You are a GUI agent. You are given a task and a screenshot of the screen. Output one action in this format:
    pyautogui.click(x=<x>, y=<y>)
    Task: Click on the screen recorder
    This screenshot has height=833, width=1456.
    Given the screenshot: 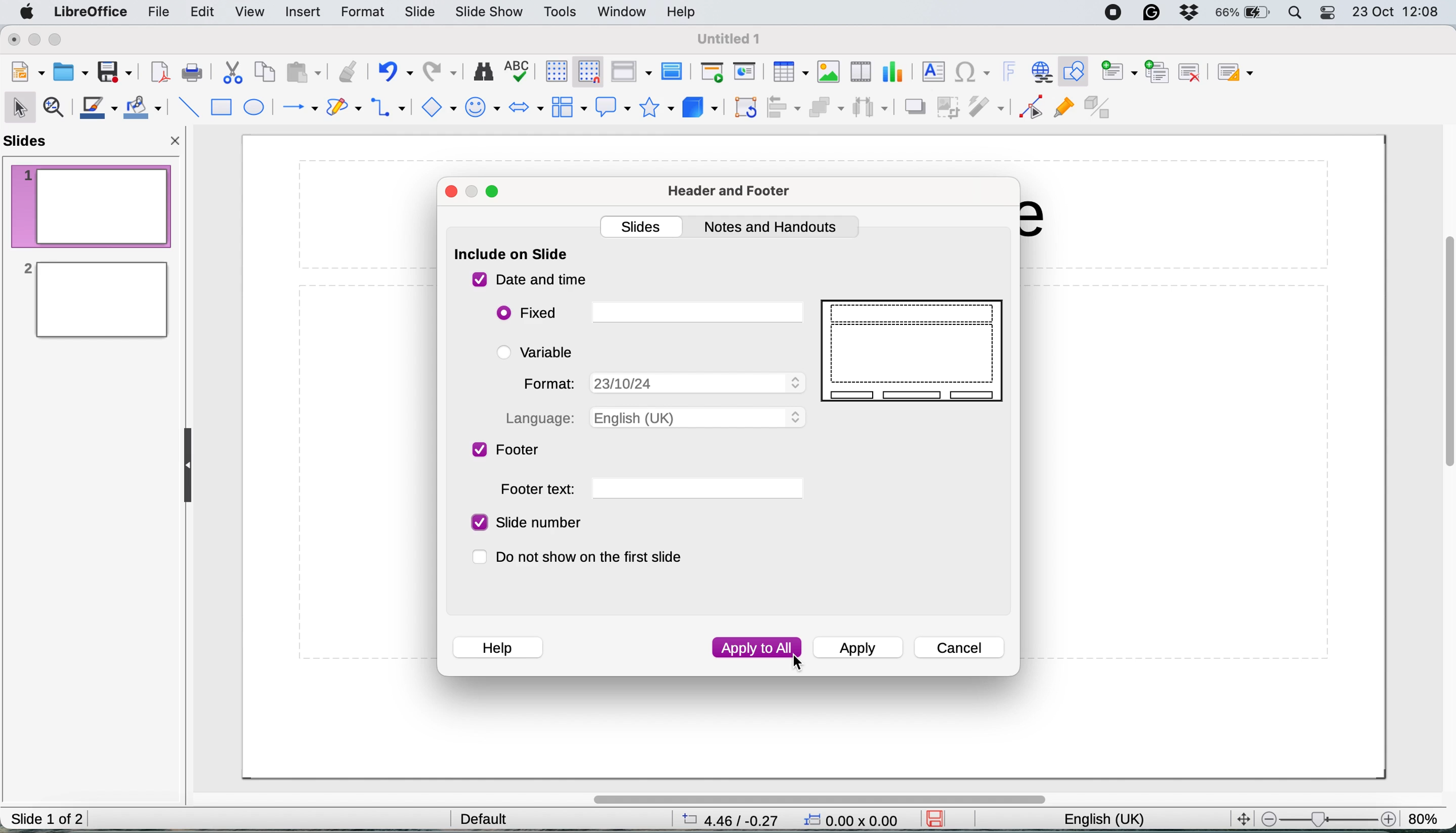 What is the action you would take?
    pyautogui.click(x=1117, y=13)
    